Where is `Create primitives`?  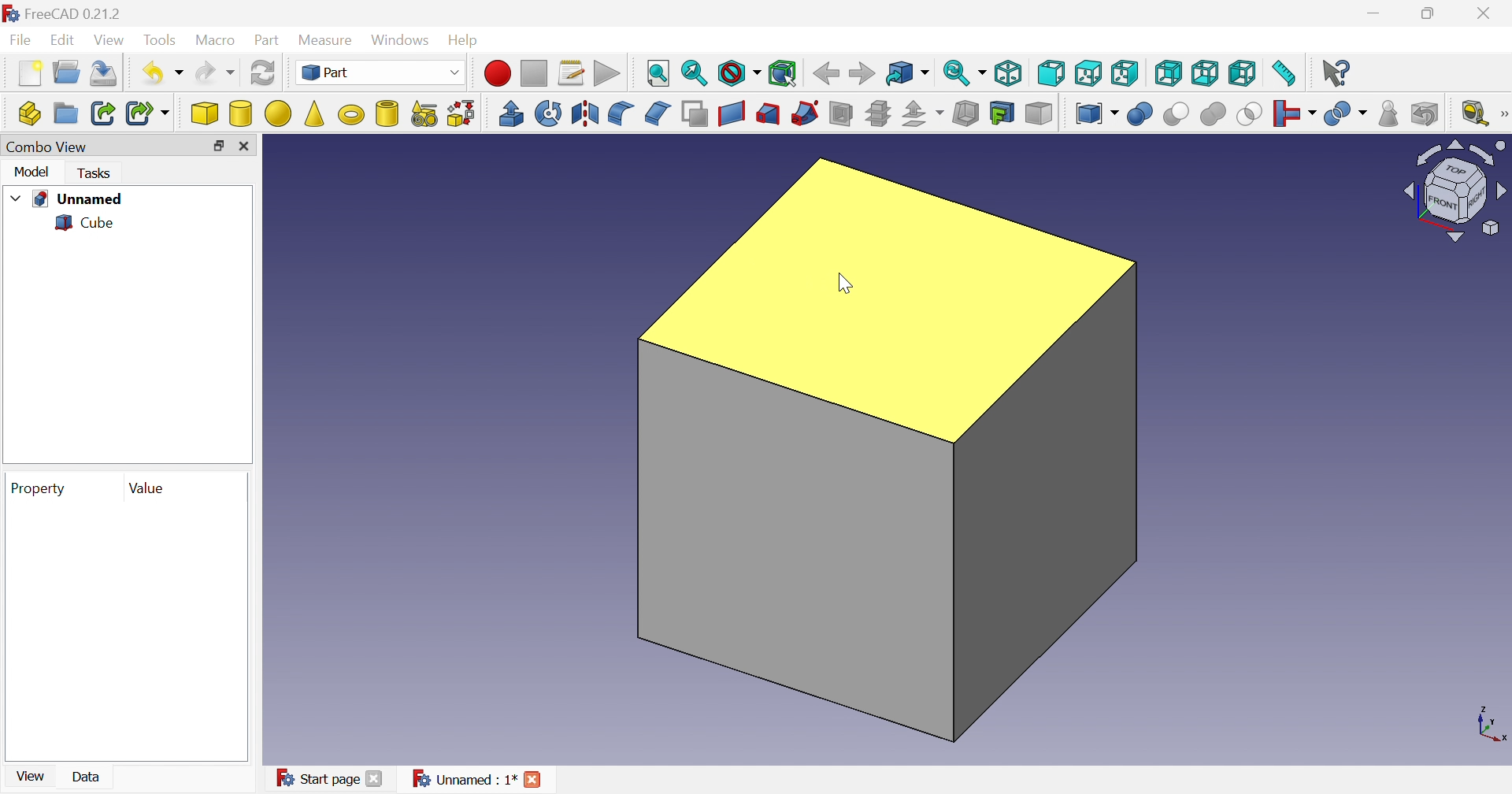 Create primitives is located at coordinates (425, 113).